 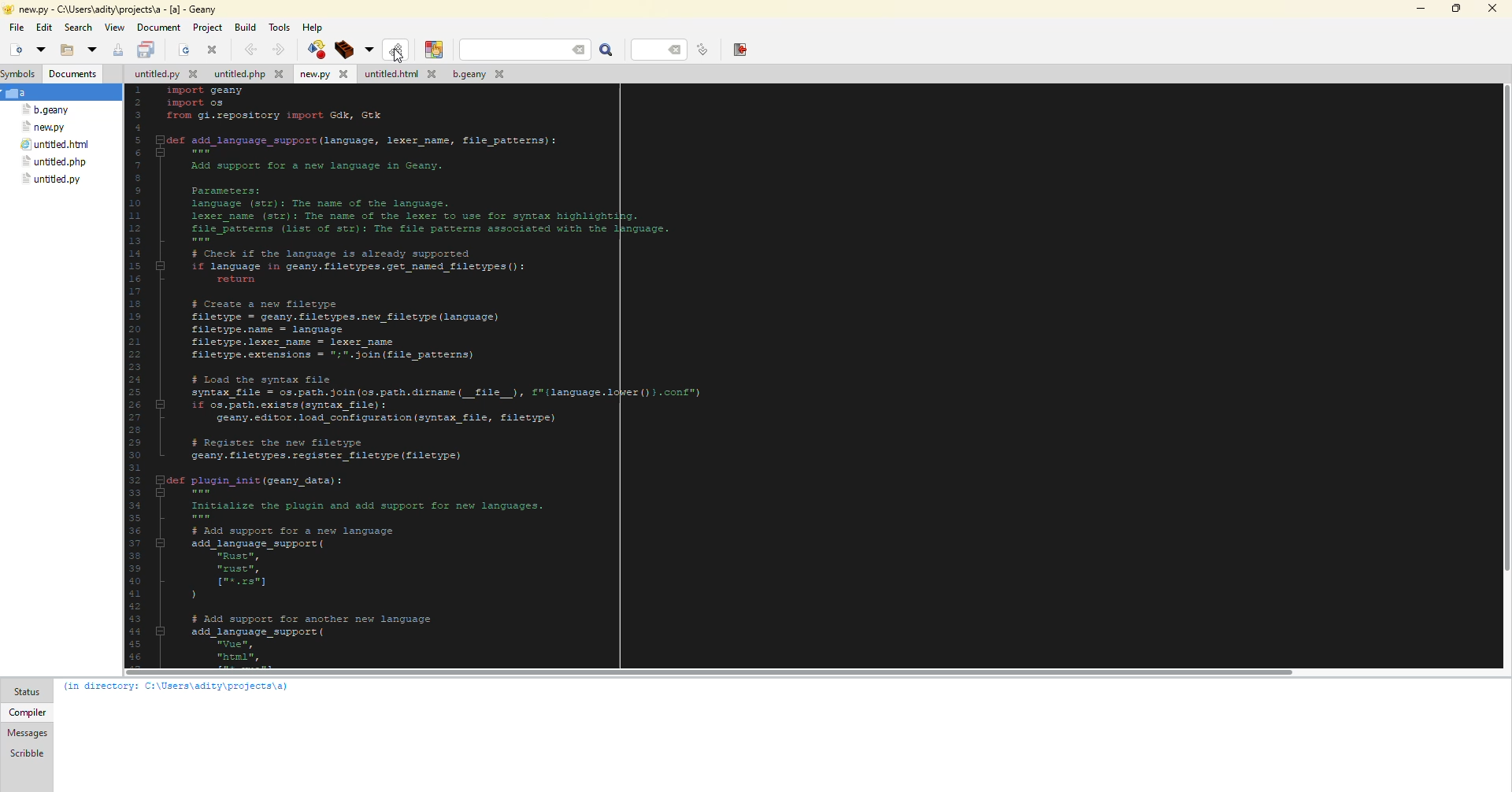 What do you see at coordinates (397, 50) in the screenshot?
I see `compile` at bounding box center [397, 50].